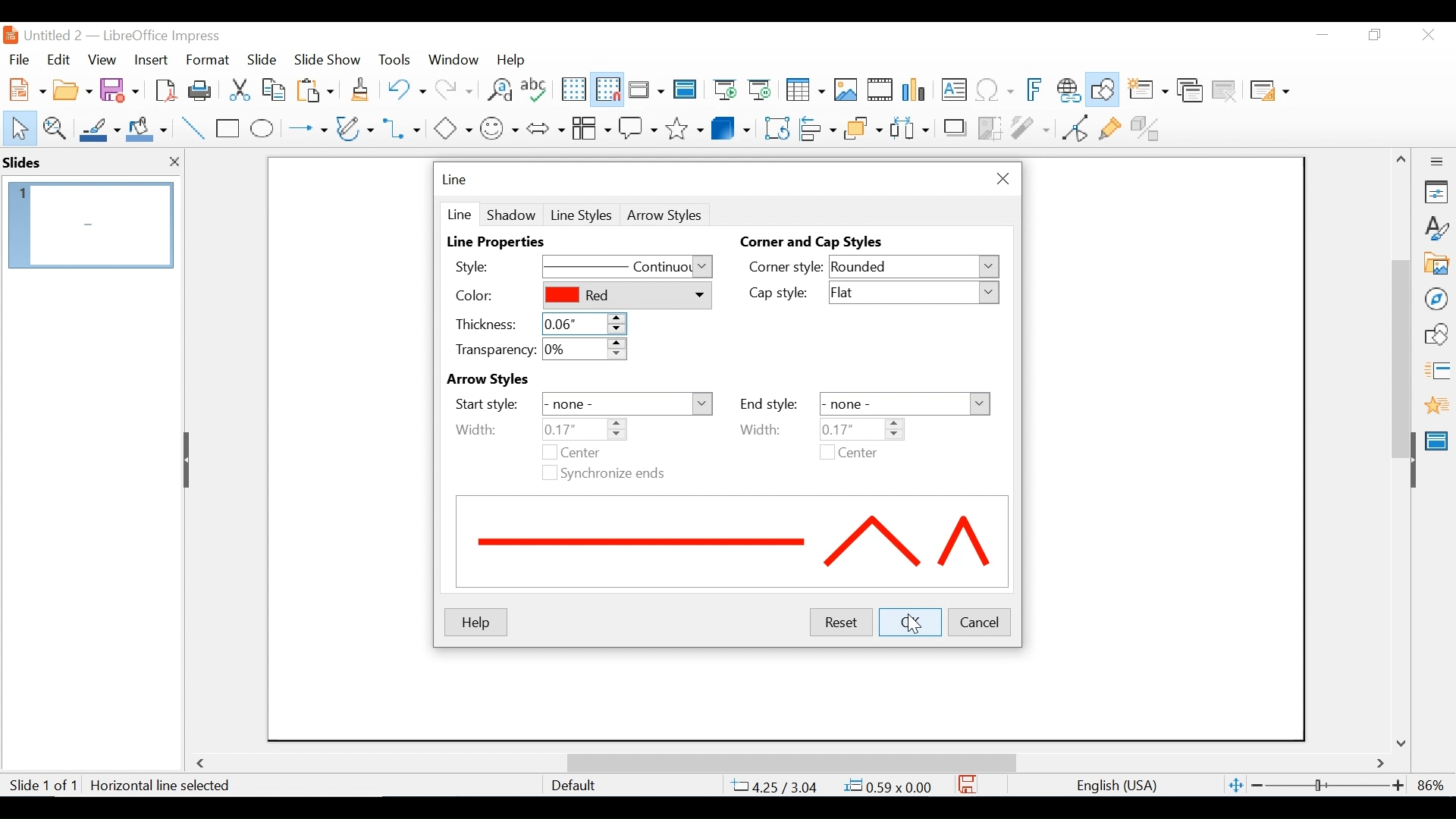 The image size is (1456, 819). What do you see at coordinates (362, 89) in the screenshot?
I see `Clone Formatting` at bounding box center [362, 89].